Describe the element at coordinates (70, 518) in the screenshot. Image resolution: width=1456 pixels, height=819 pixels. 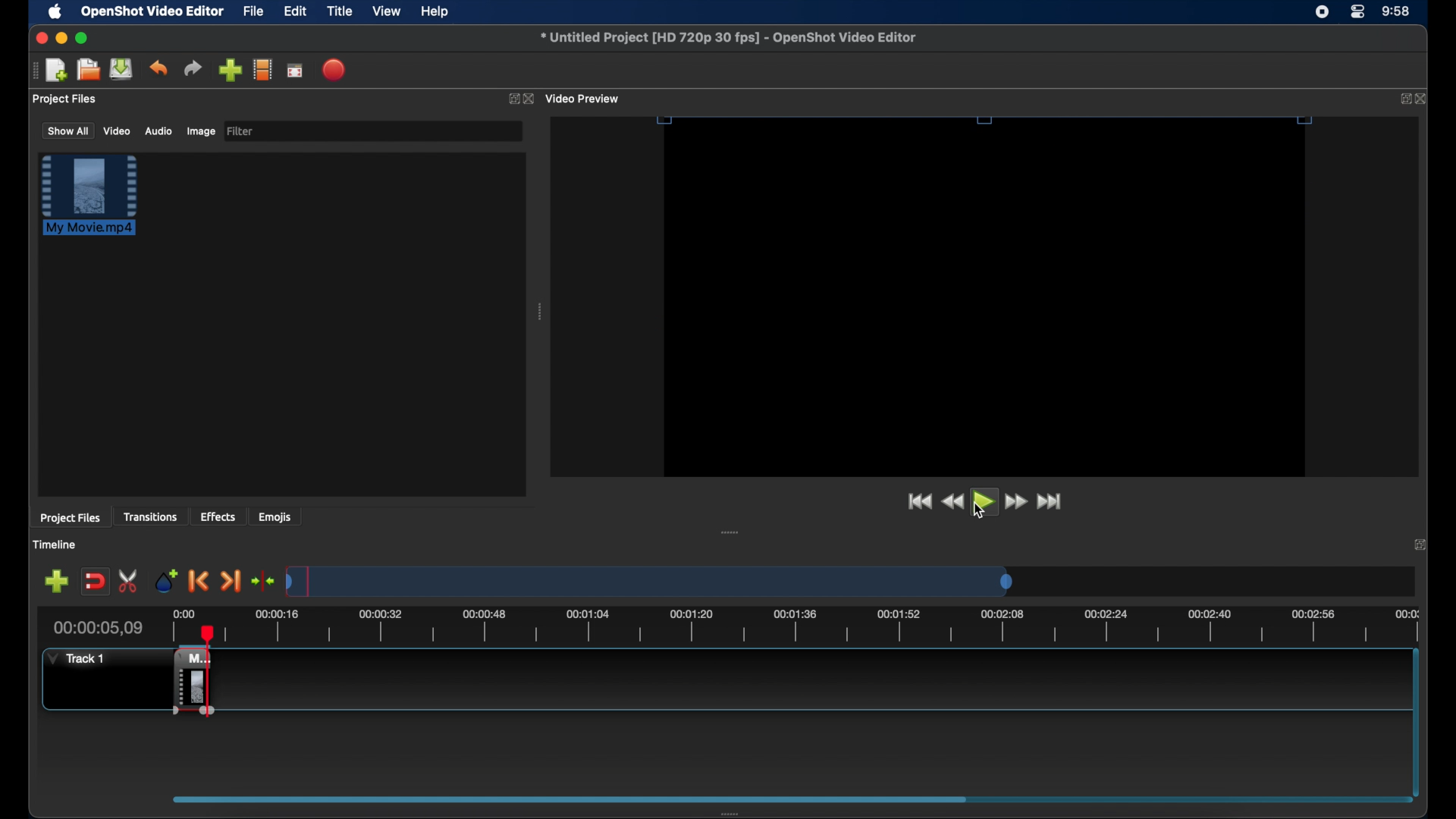
I see `project files` at that location.